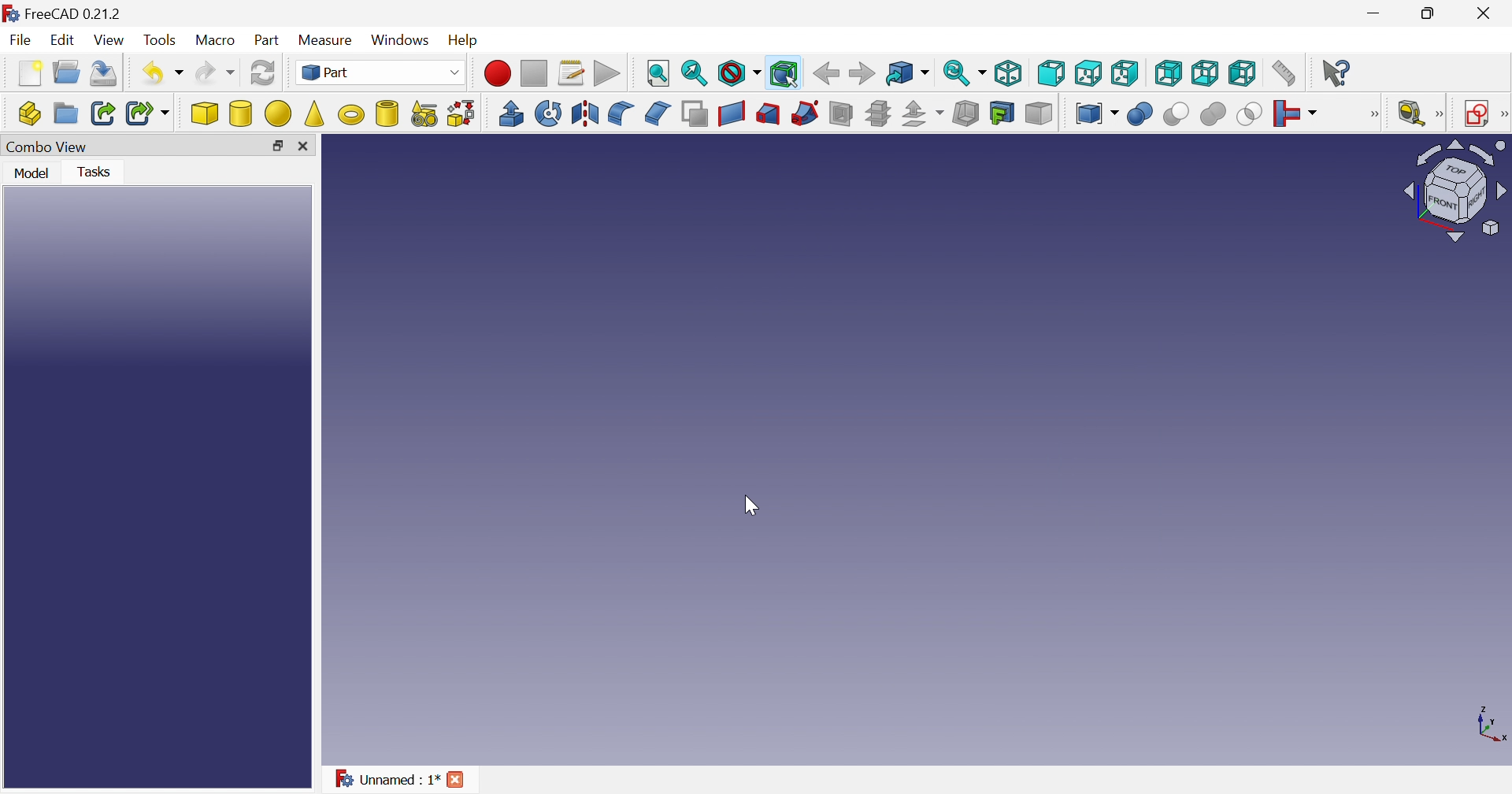  What do you see at coordinates (105, 74) in the screenshot?
I see `Save` at bounding box center [105, 74].